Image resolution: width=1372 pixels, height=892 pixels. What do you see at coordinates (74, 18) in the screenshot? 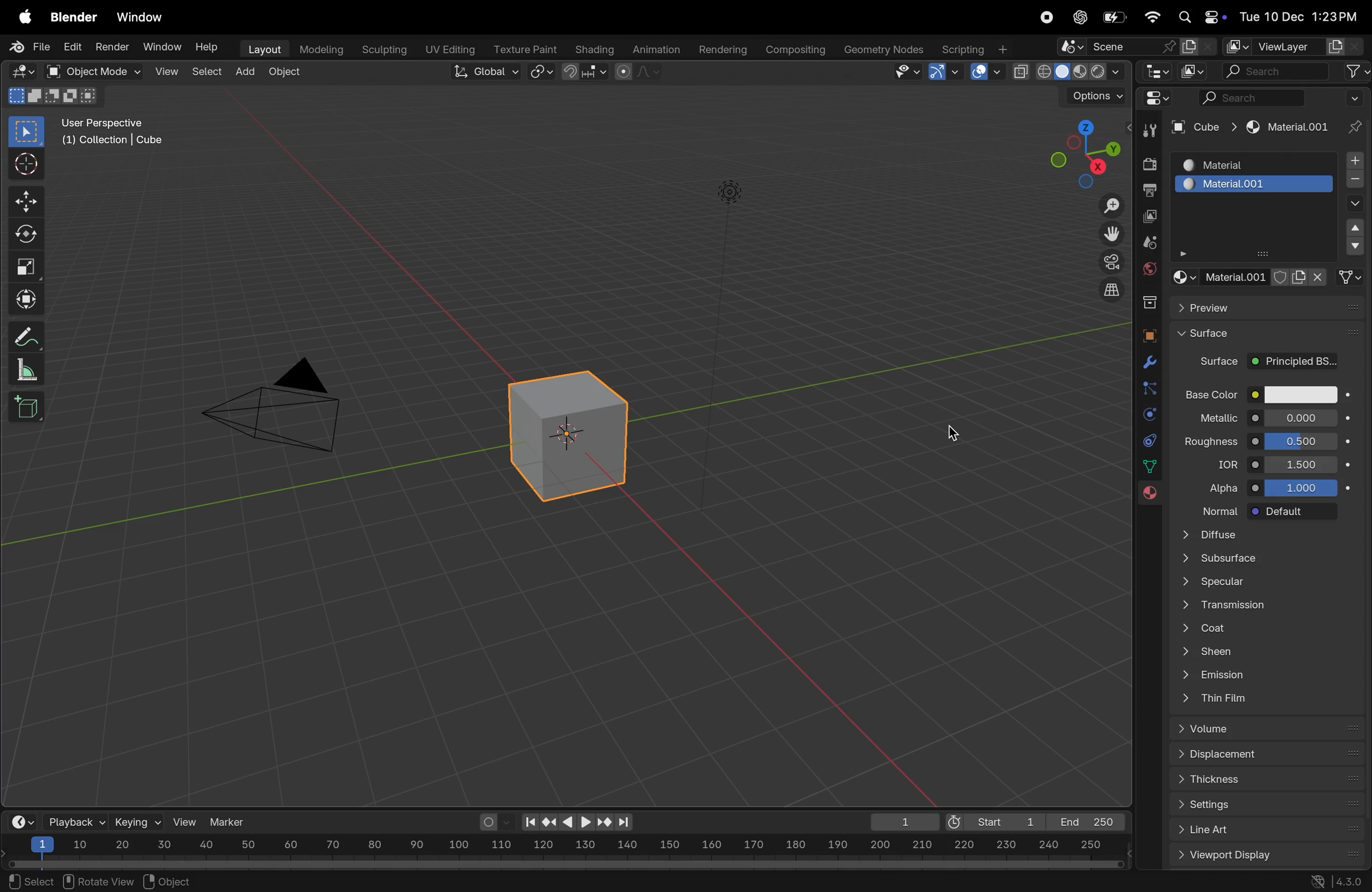
I see `blender` at bounding box center [74, 18].